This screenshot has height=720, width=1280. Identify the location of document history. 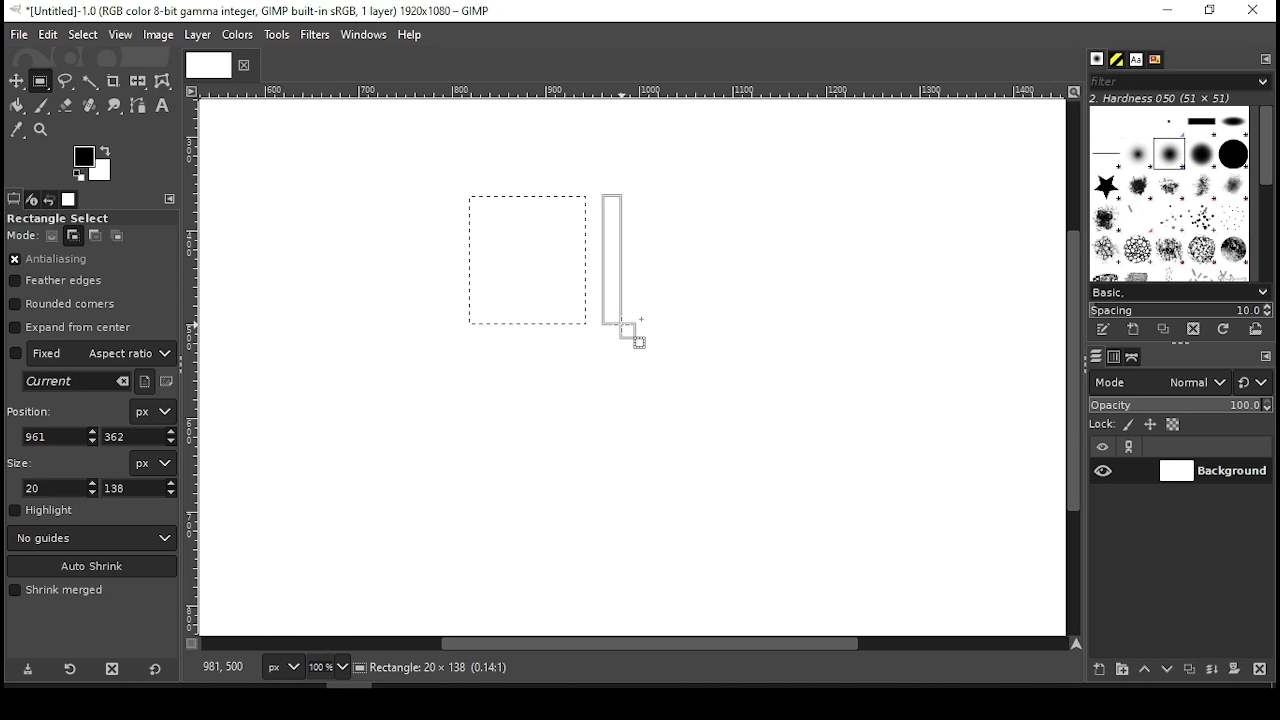
(1154, 60).